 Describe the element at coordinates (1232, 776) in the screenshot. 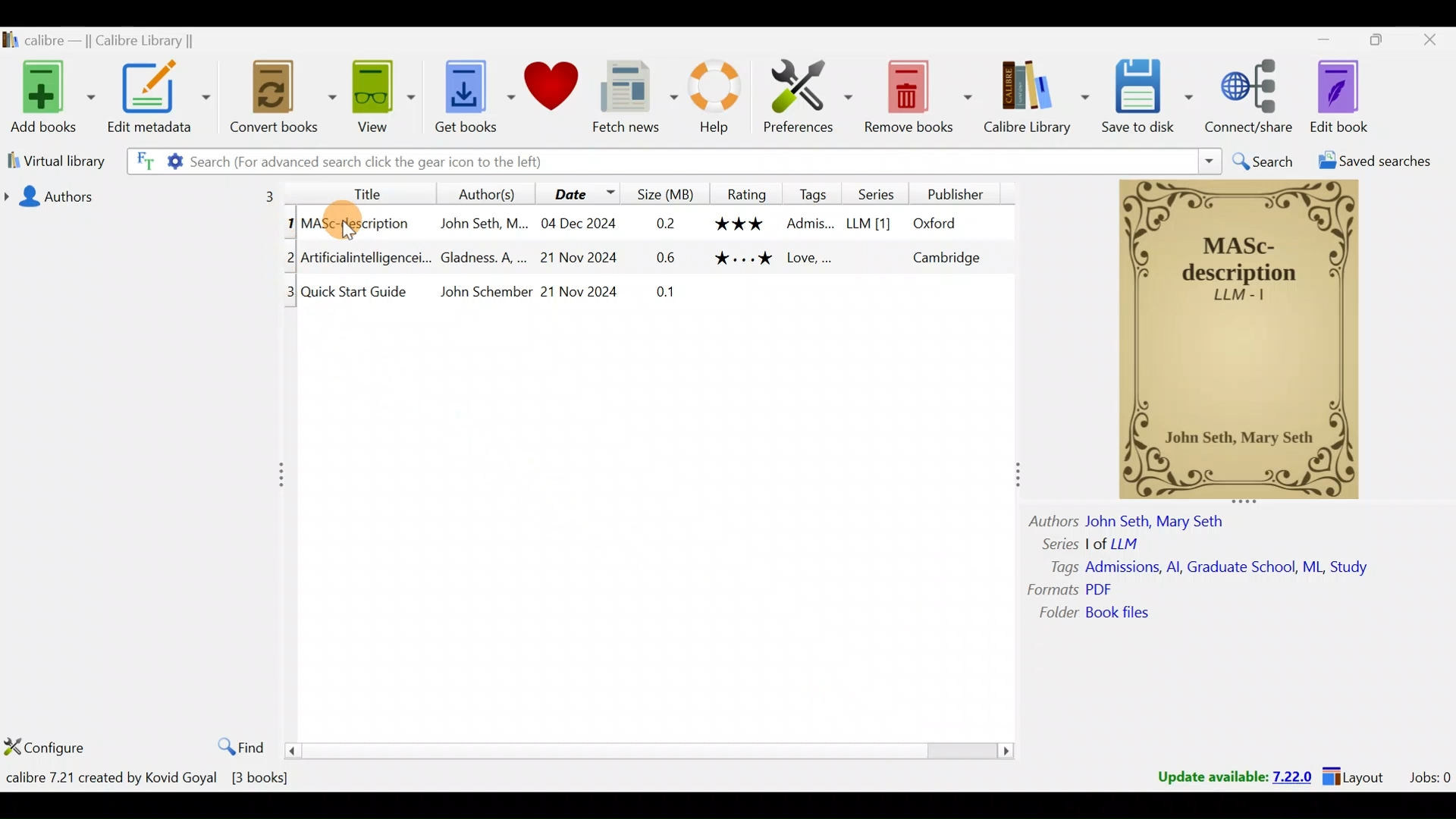

I see `Update` at that location.